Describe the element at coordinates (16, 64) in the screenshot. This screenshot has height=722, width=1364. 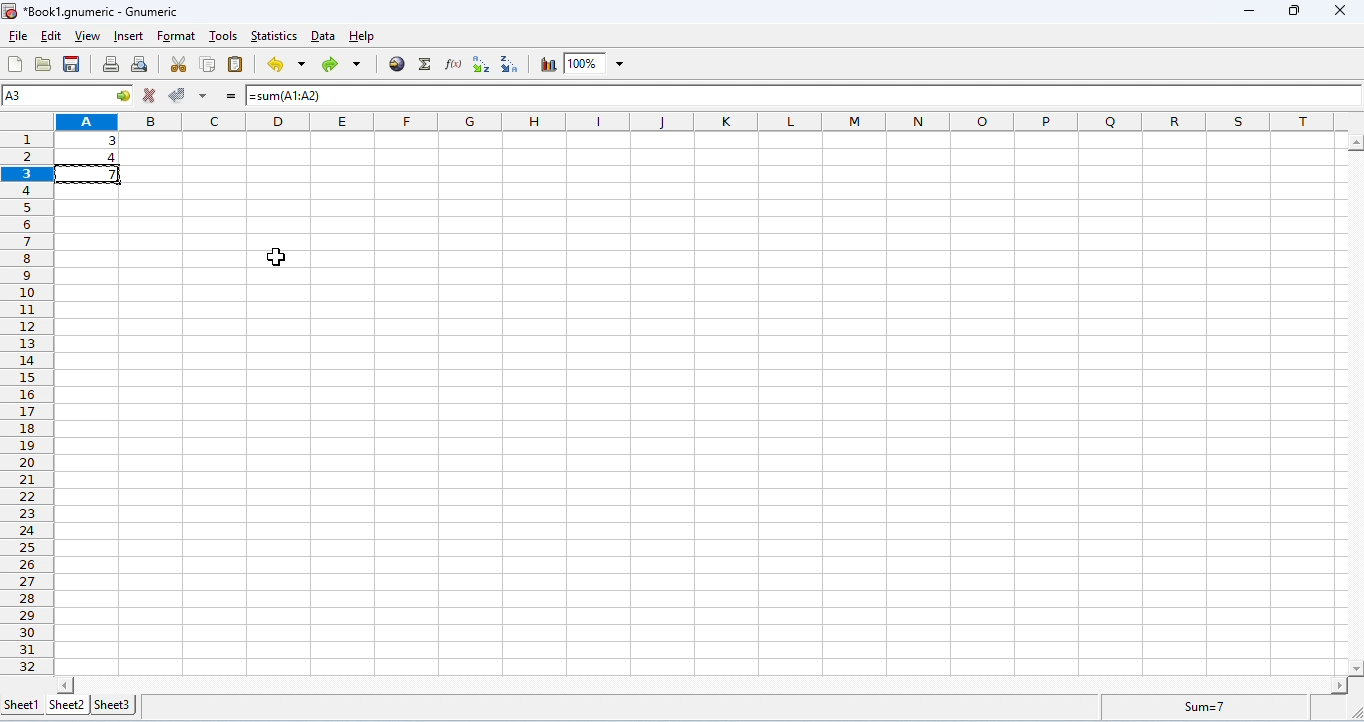
I see `new` at that location.